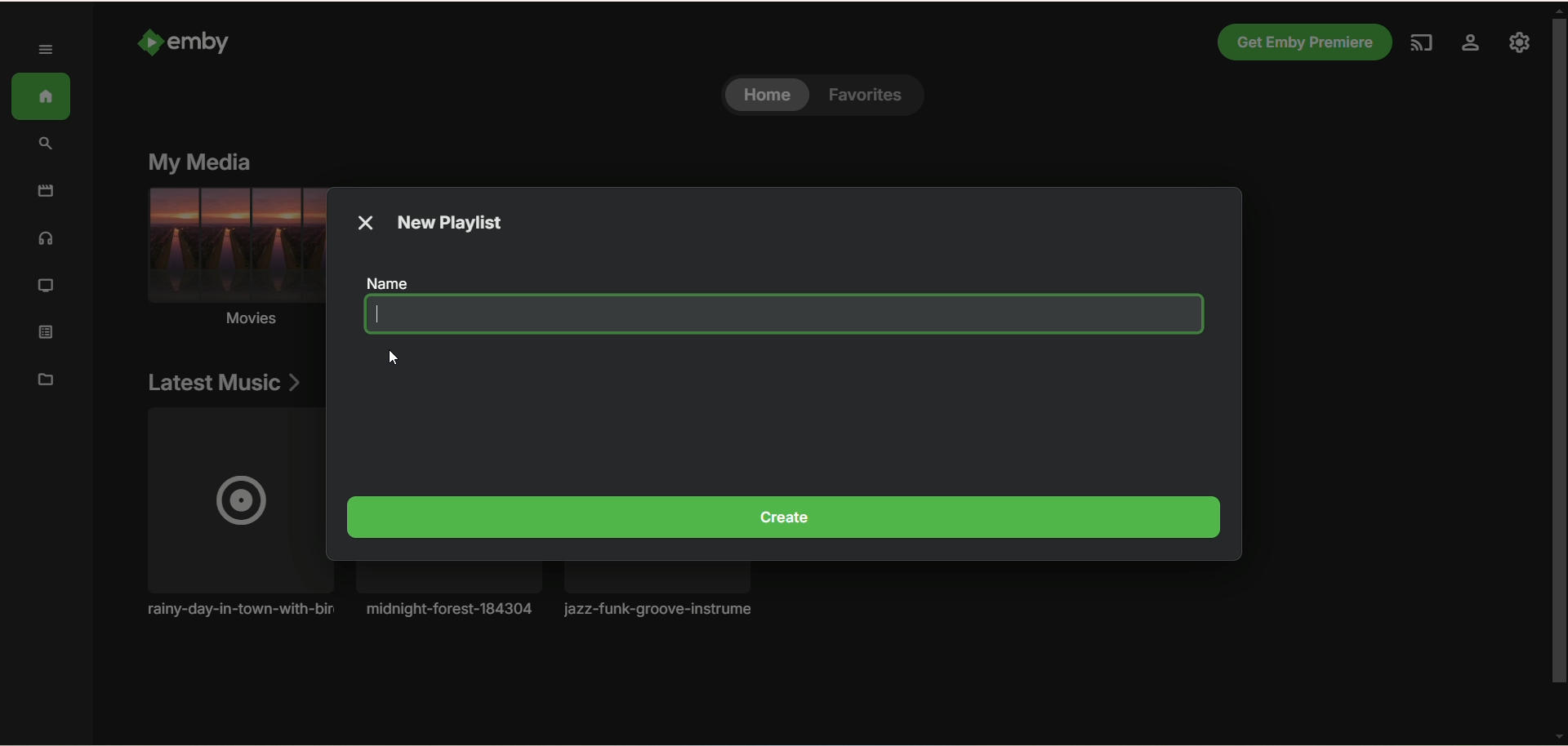 This screenshot has height=746, width=1568. What do you see at coordinates (42, 97) in the screenshot?
I see `home` at bounding box center [42, 97].